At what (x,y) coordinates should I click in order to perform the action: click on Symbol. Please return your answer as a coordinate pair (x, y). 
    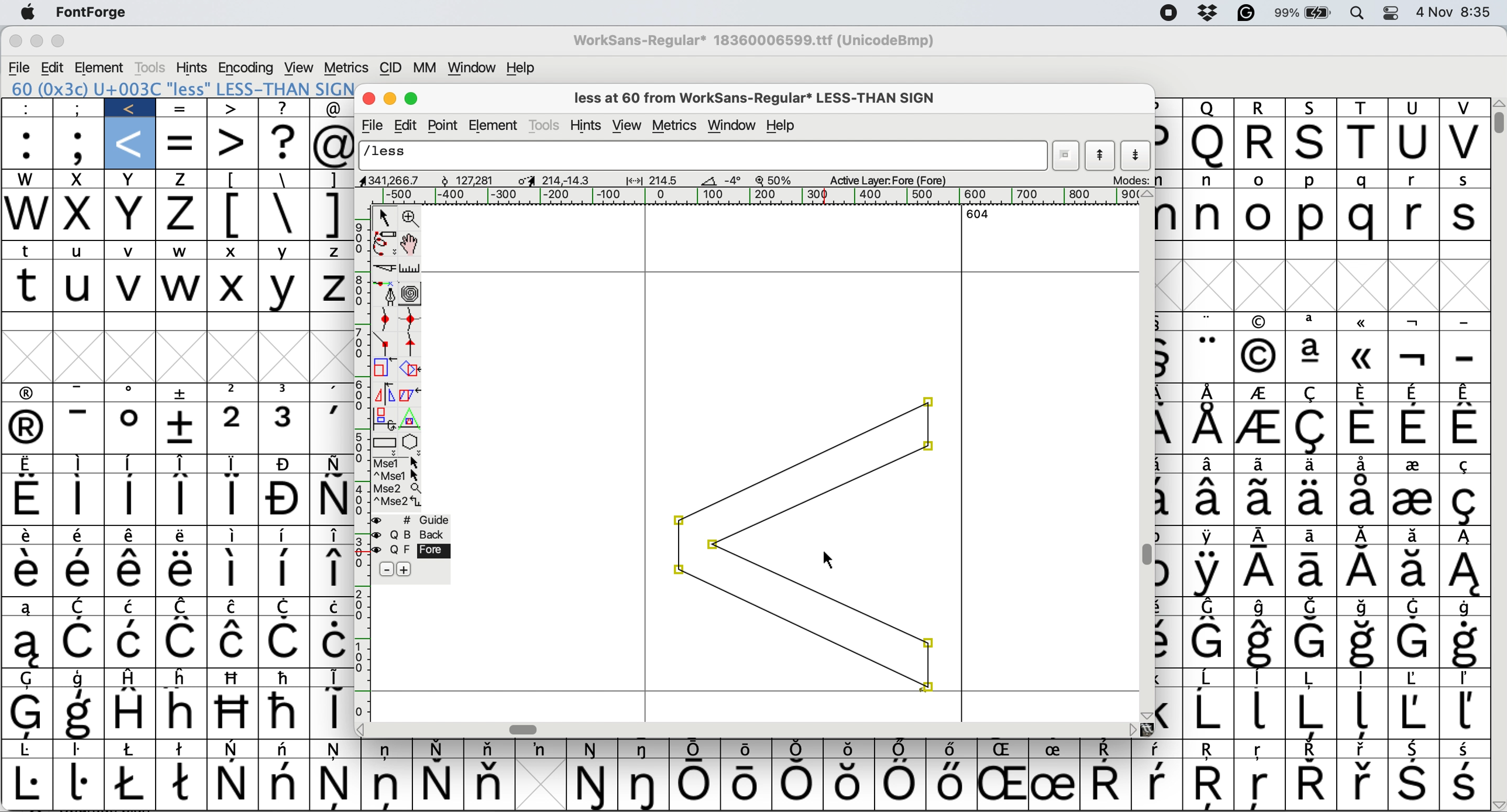
    Looking at the image, I should click on (1312, 608).